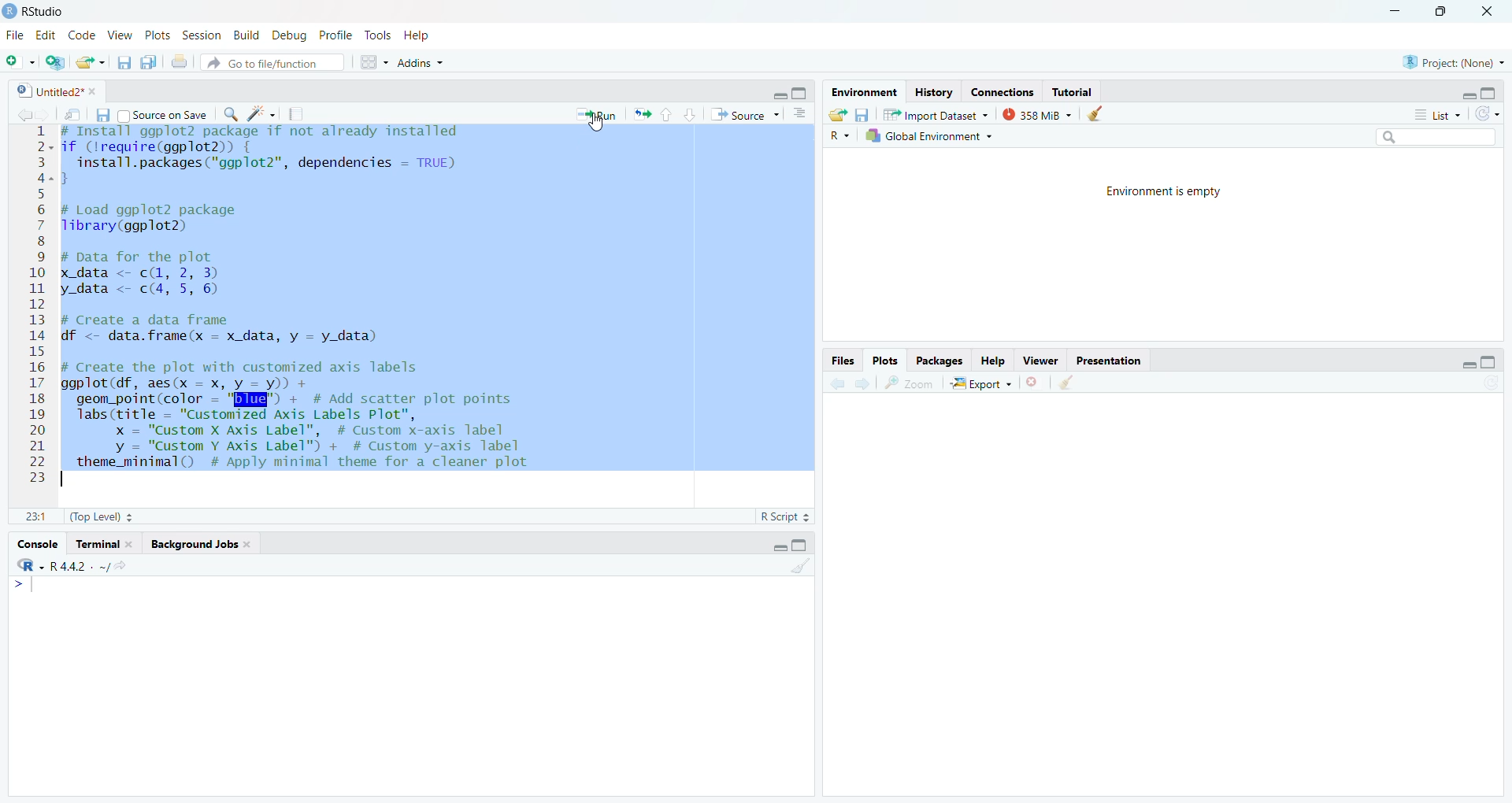 Image resolution: width=1512 pixels, height=803 pixels. I want to click on next, so click(862, 383).